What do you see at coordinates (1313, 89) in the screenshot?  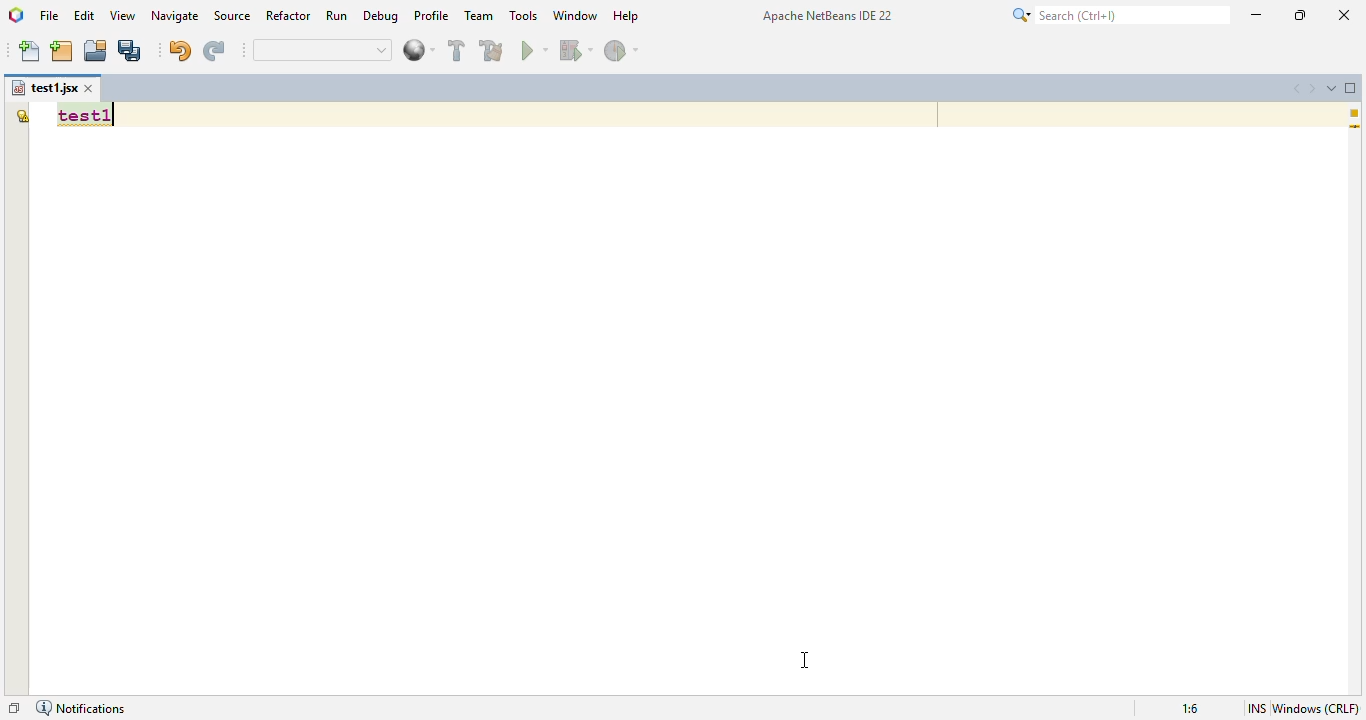 I see `scroll documents right` at bounding box center [1313, 89].